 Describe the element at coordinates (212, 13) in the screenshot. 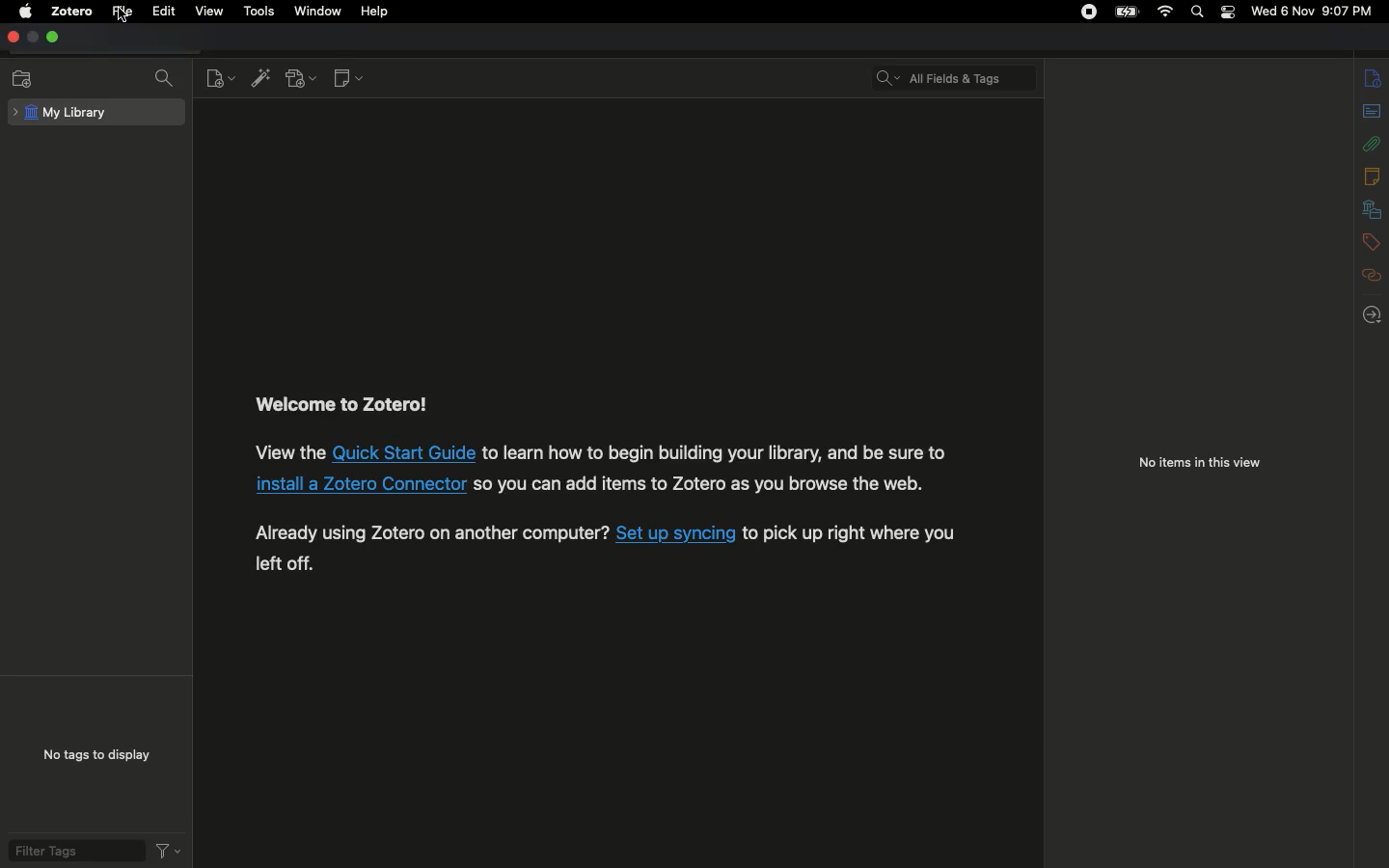

I see `View` at that location.